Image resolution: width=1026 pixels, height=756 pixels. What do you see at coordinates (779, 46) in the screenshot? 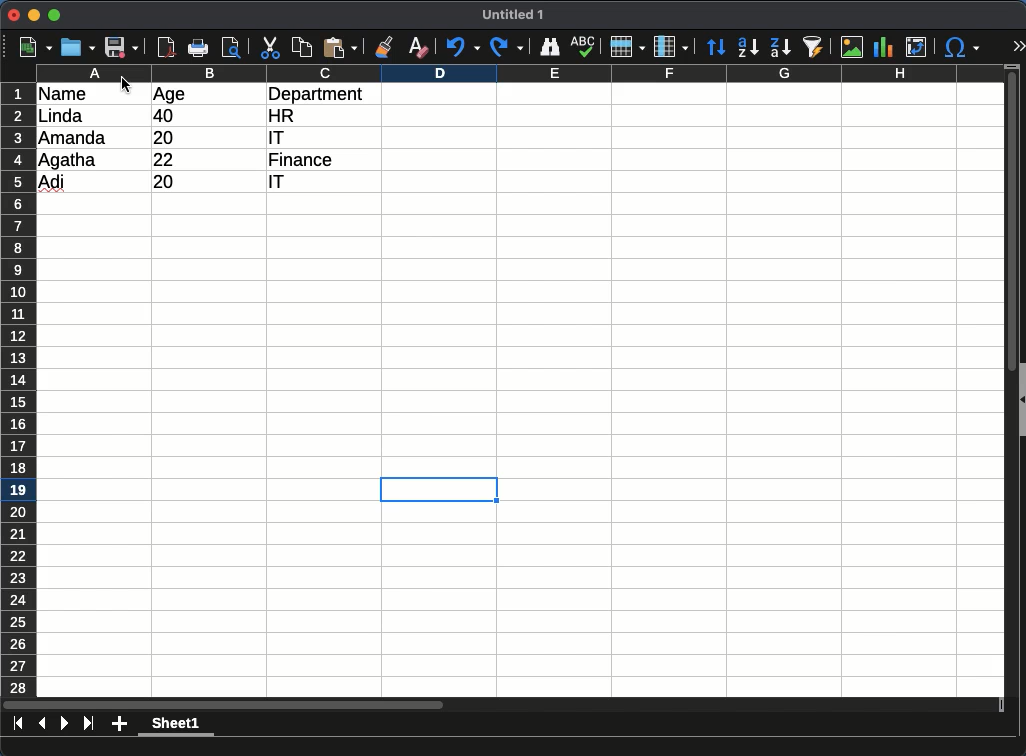
I see `descending` at bounding box center [779, 46].